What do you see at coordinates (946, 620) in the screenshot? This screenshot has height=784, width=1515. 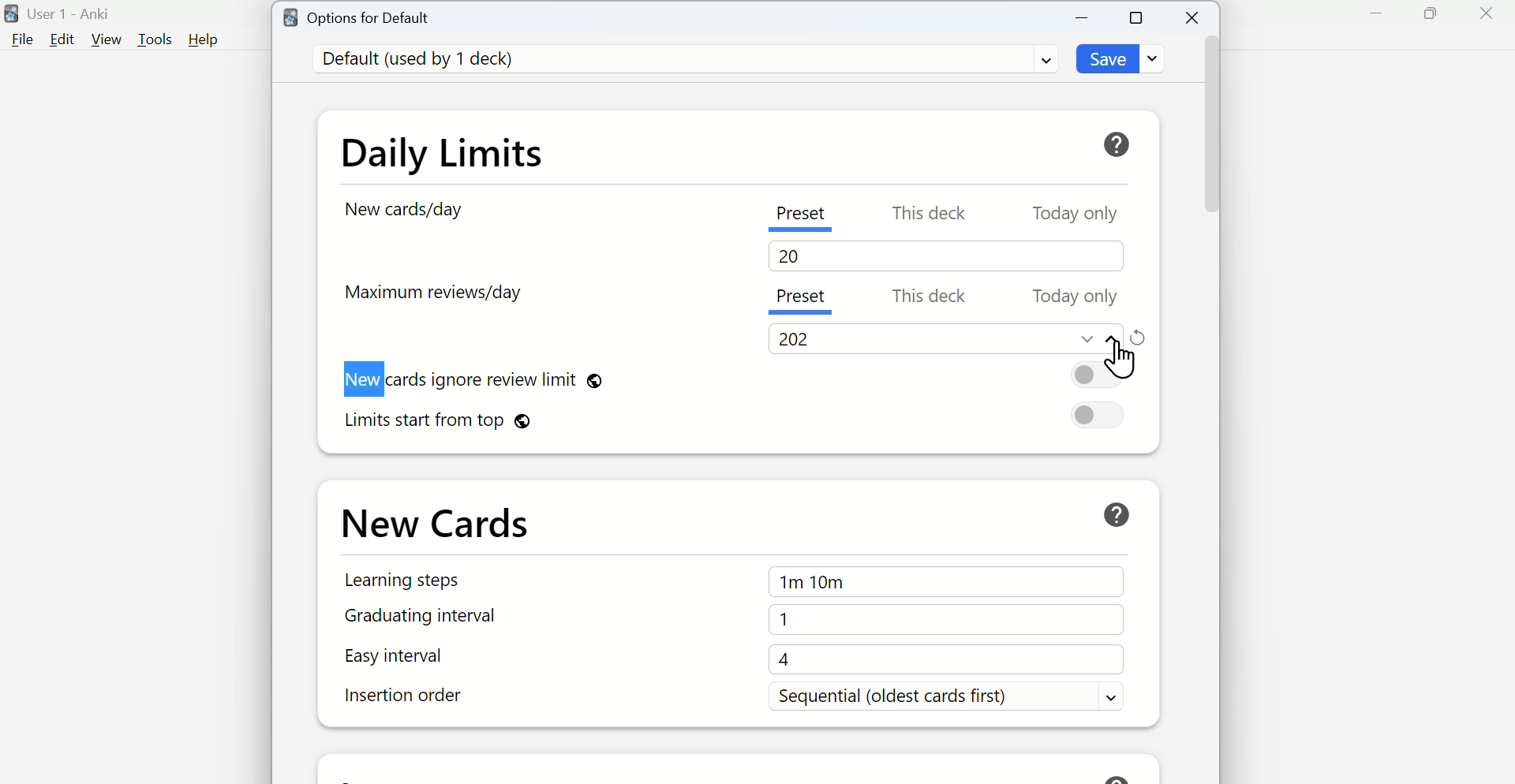 I see `1` at bounding box center [946, 620].